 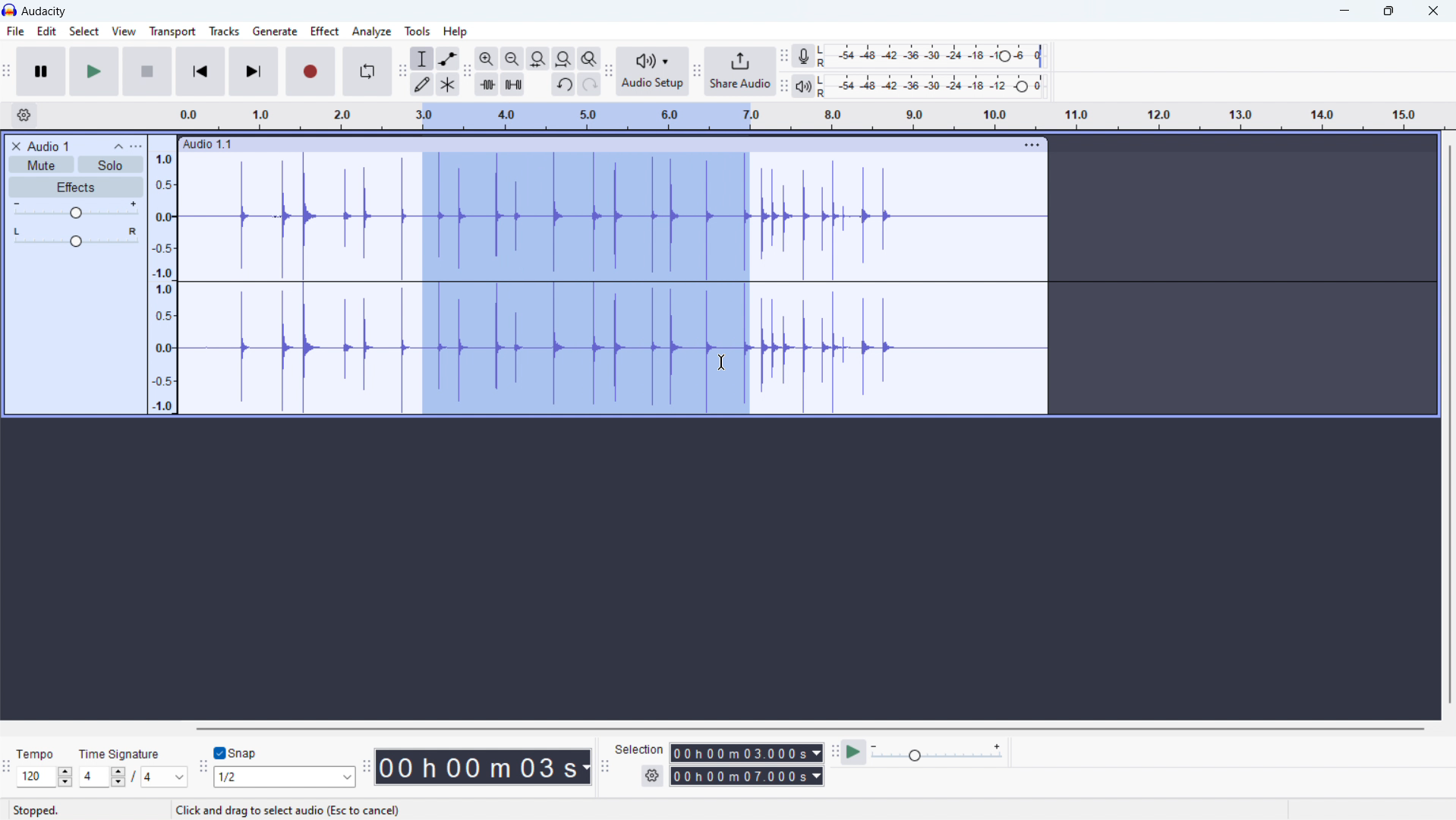 What do you see at coordinates (938, 752) in the screenshot?
I see `playback speed` at bounding box center [938, 752].